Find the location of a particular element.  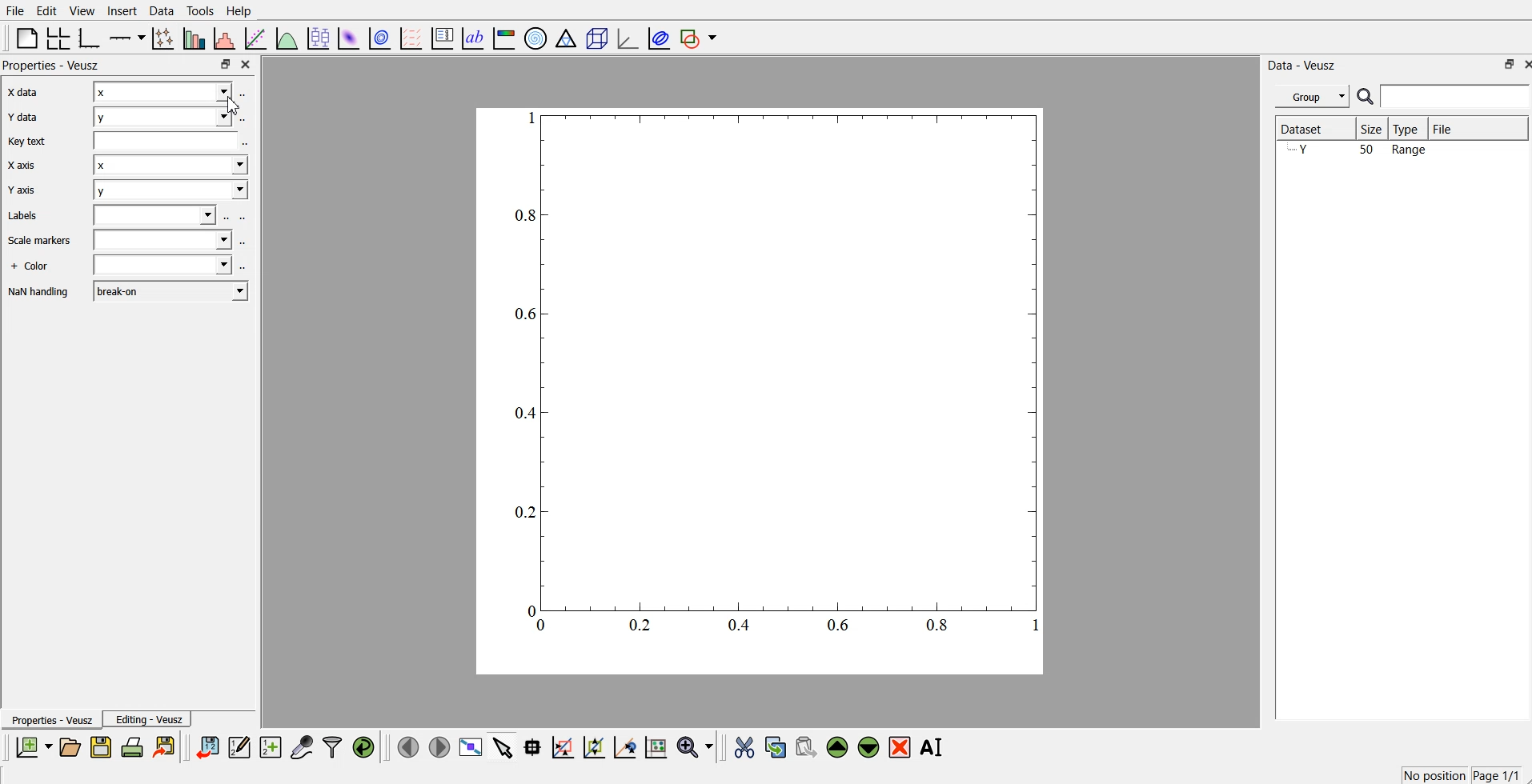

Group  is located at coordinates (1313, 96).